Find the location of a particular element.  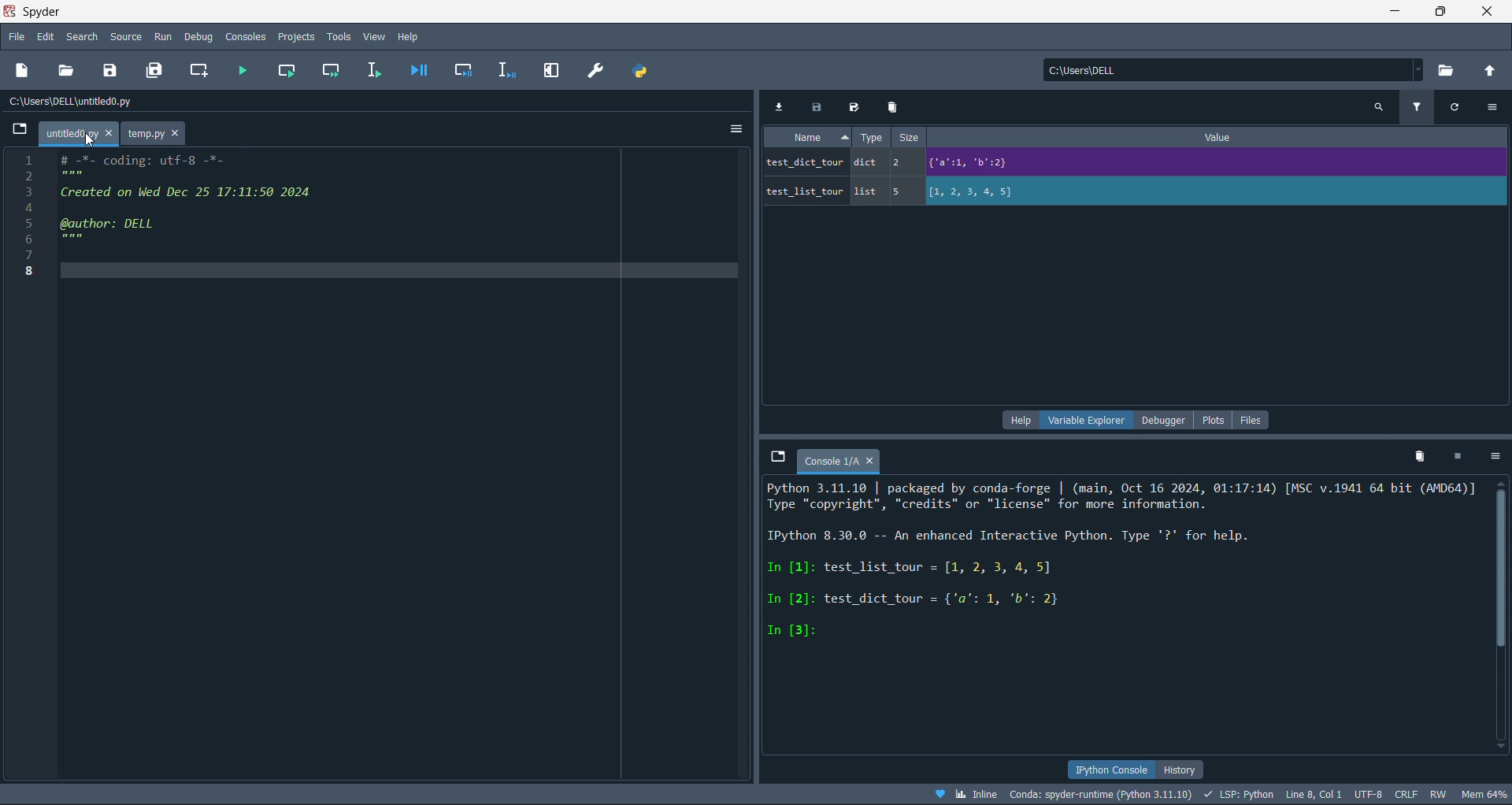

help pane is located at coordinates (1019, 421).